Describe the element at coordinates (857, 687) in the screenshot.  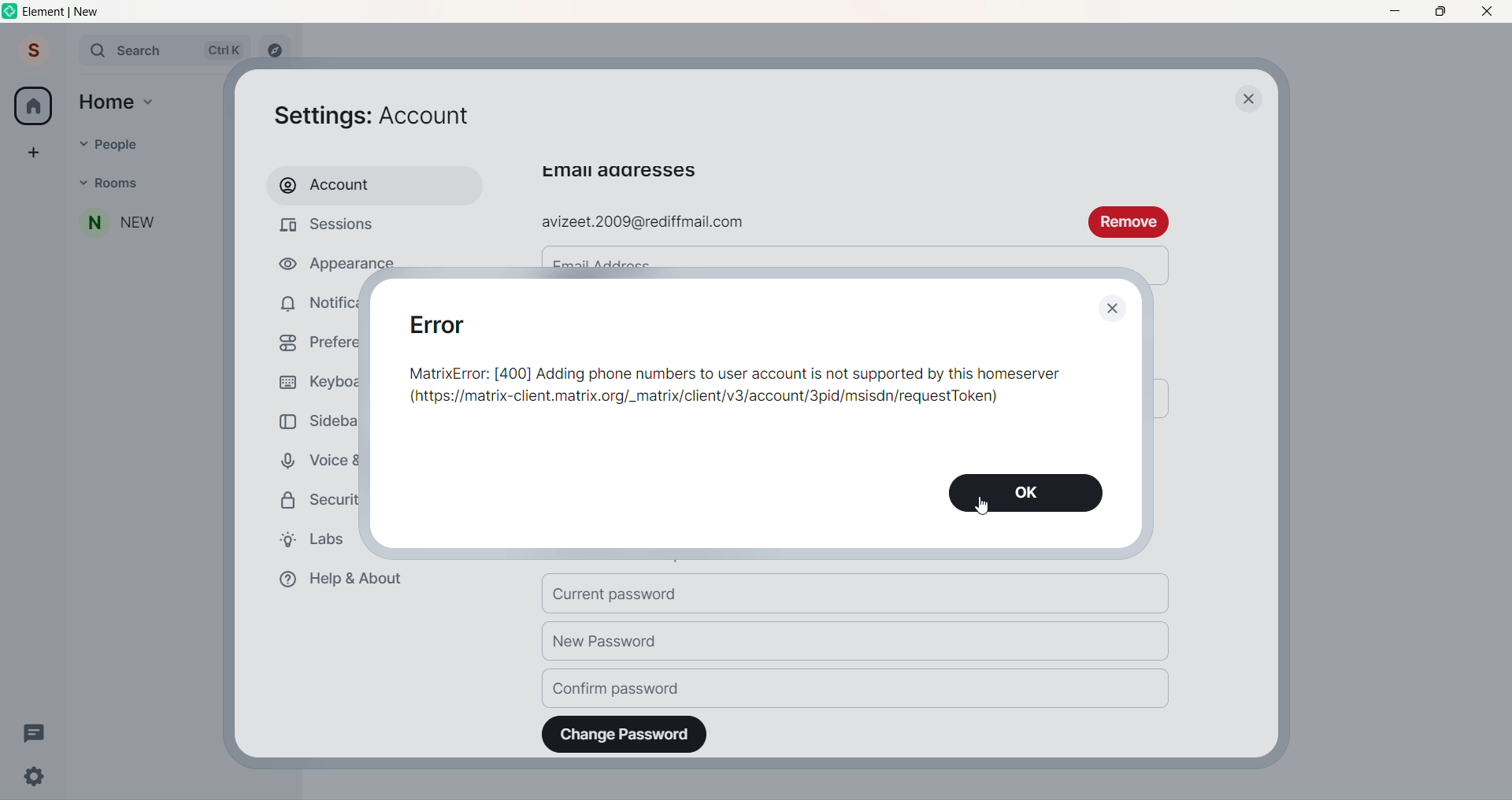
I see `Confirm Password` at that location.